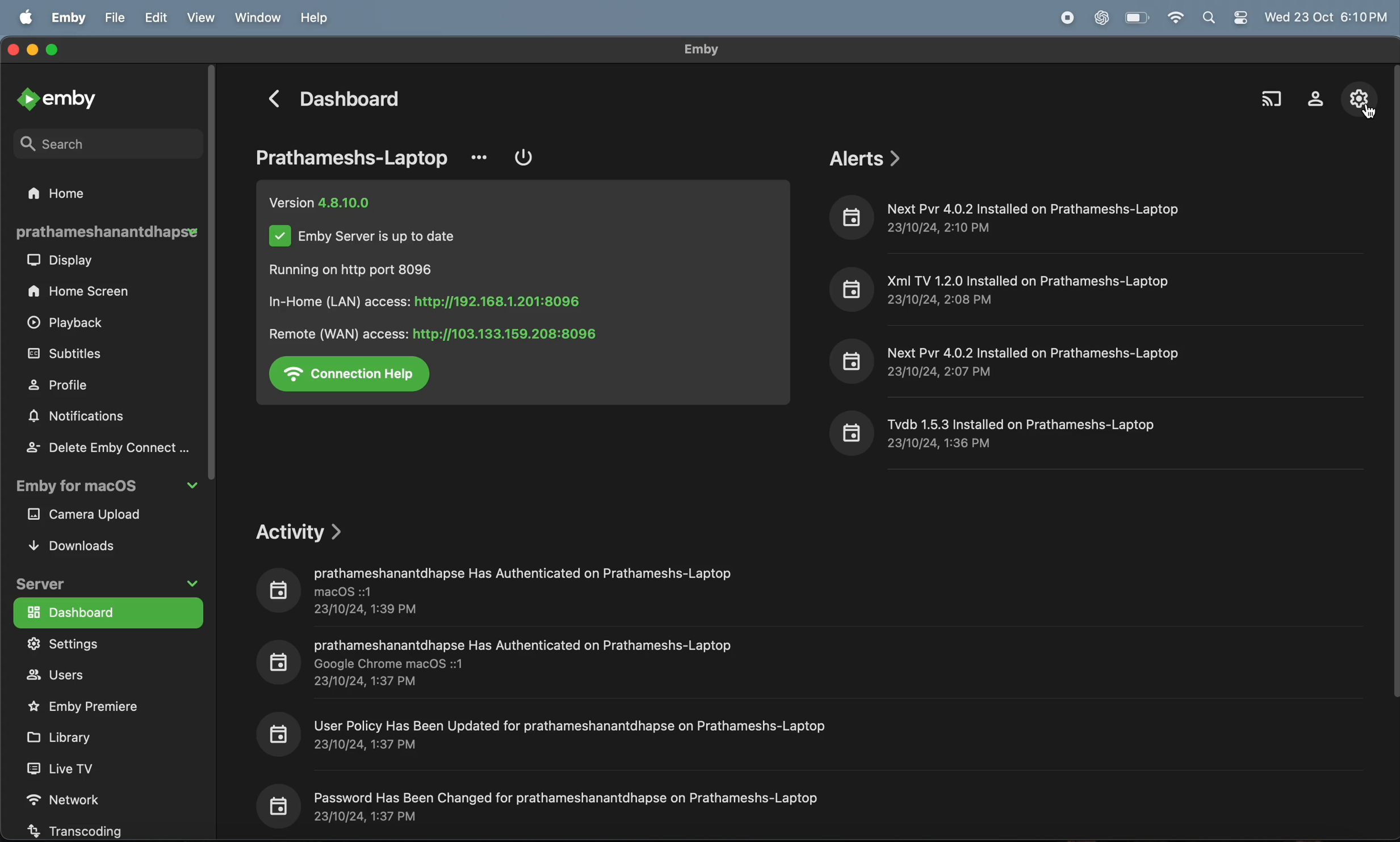  I want to click on dash board, so click(108, 613).